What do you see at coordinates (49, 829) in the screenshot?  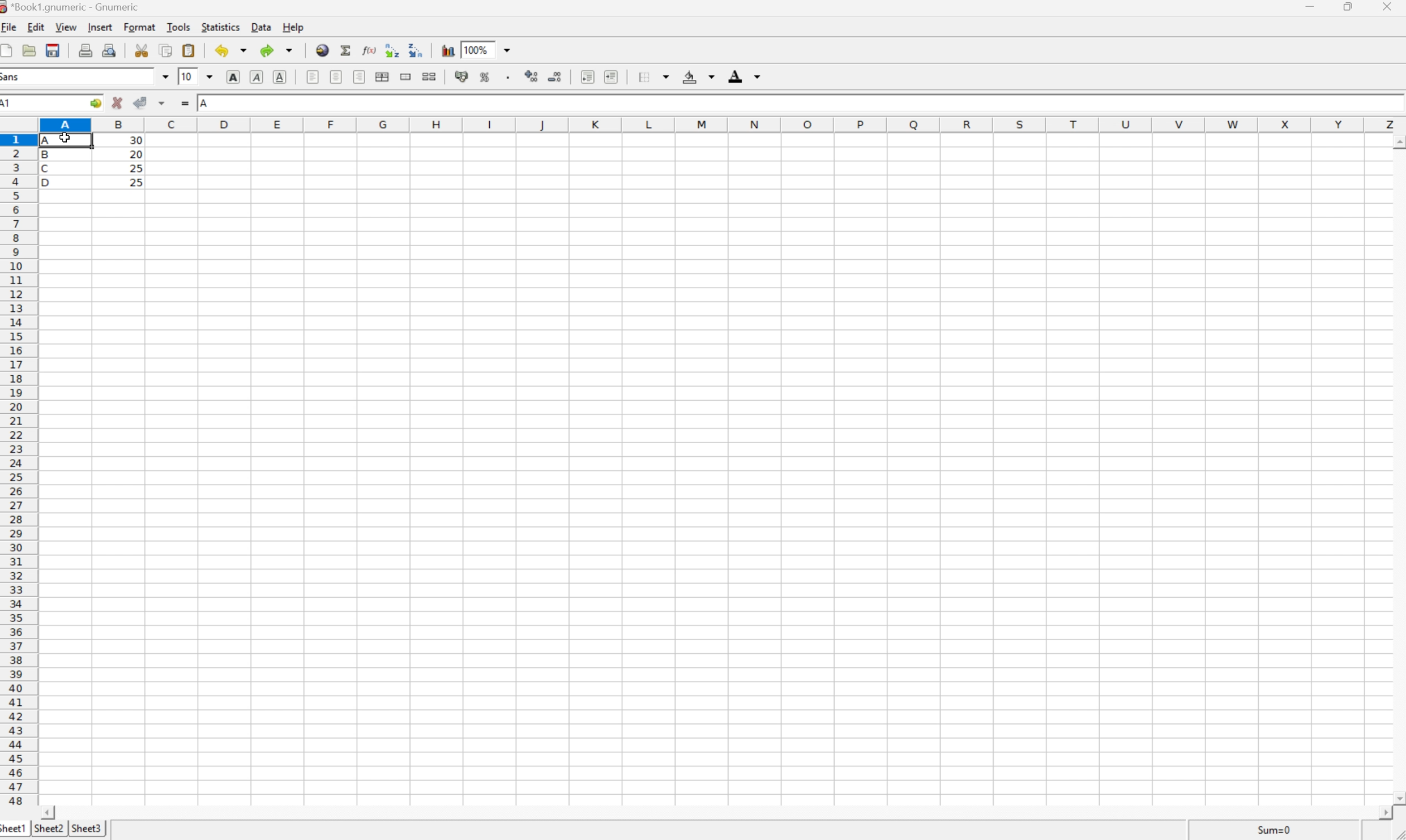 I see `Sheet2` at bounding box center [49, 829].